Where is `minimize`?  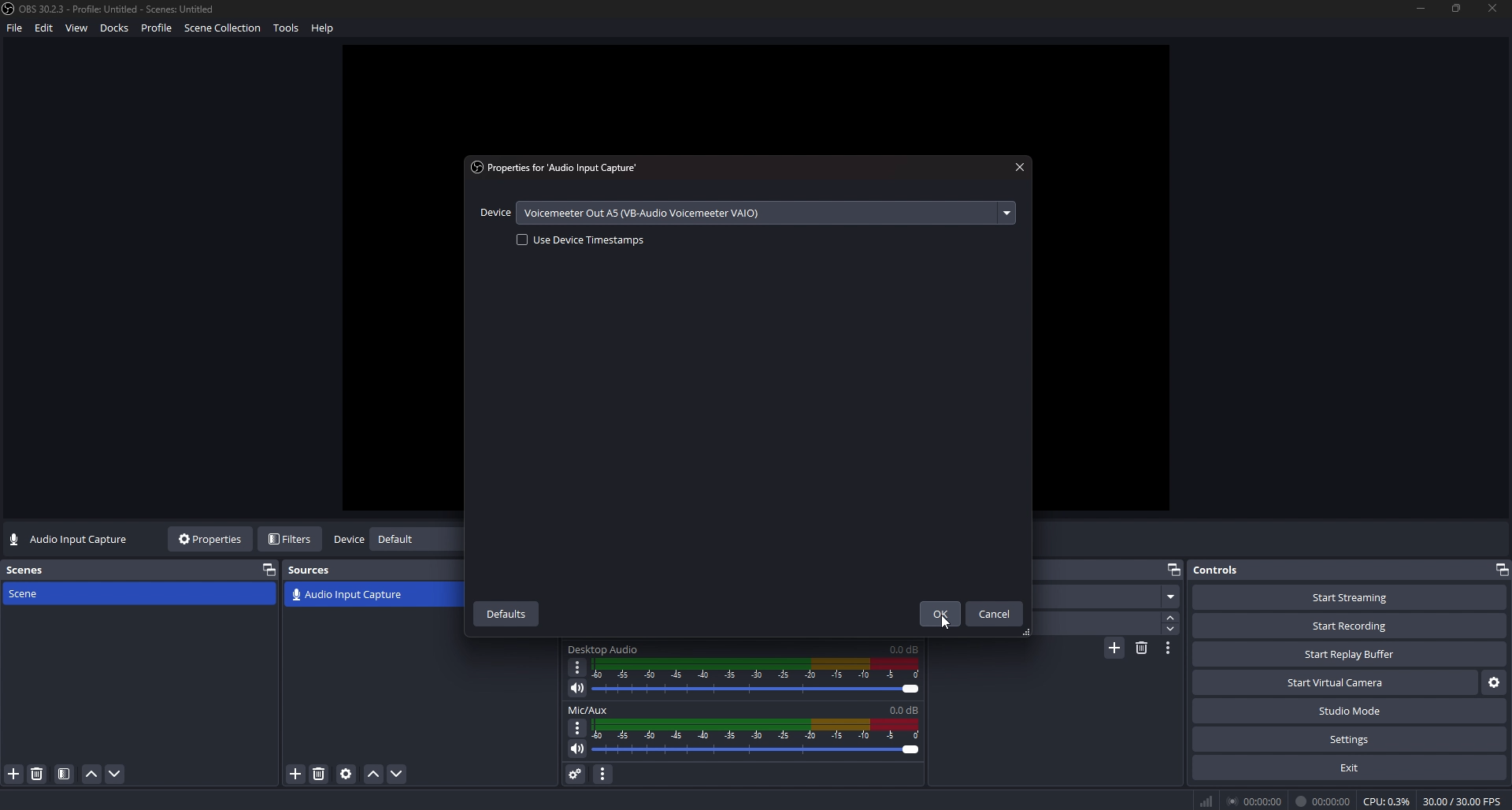 minimize is located at coordinates (1421, 9).